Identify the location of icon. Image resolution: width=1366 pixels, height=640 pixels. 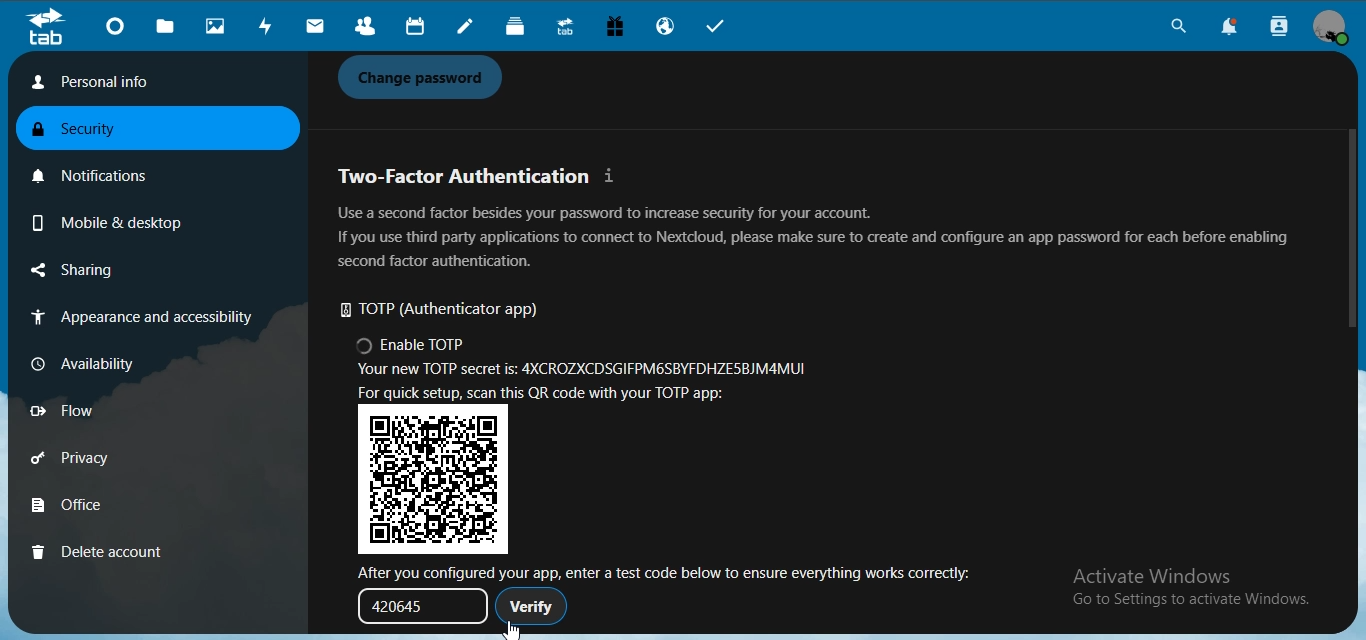
(45, 27).